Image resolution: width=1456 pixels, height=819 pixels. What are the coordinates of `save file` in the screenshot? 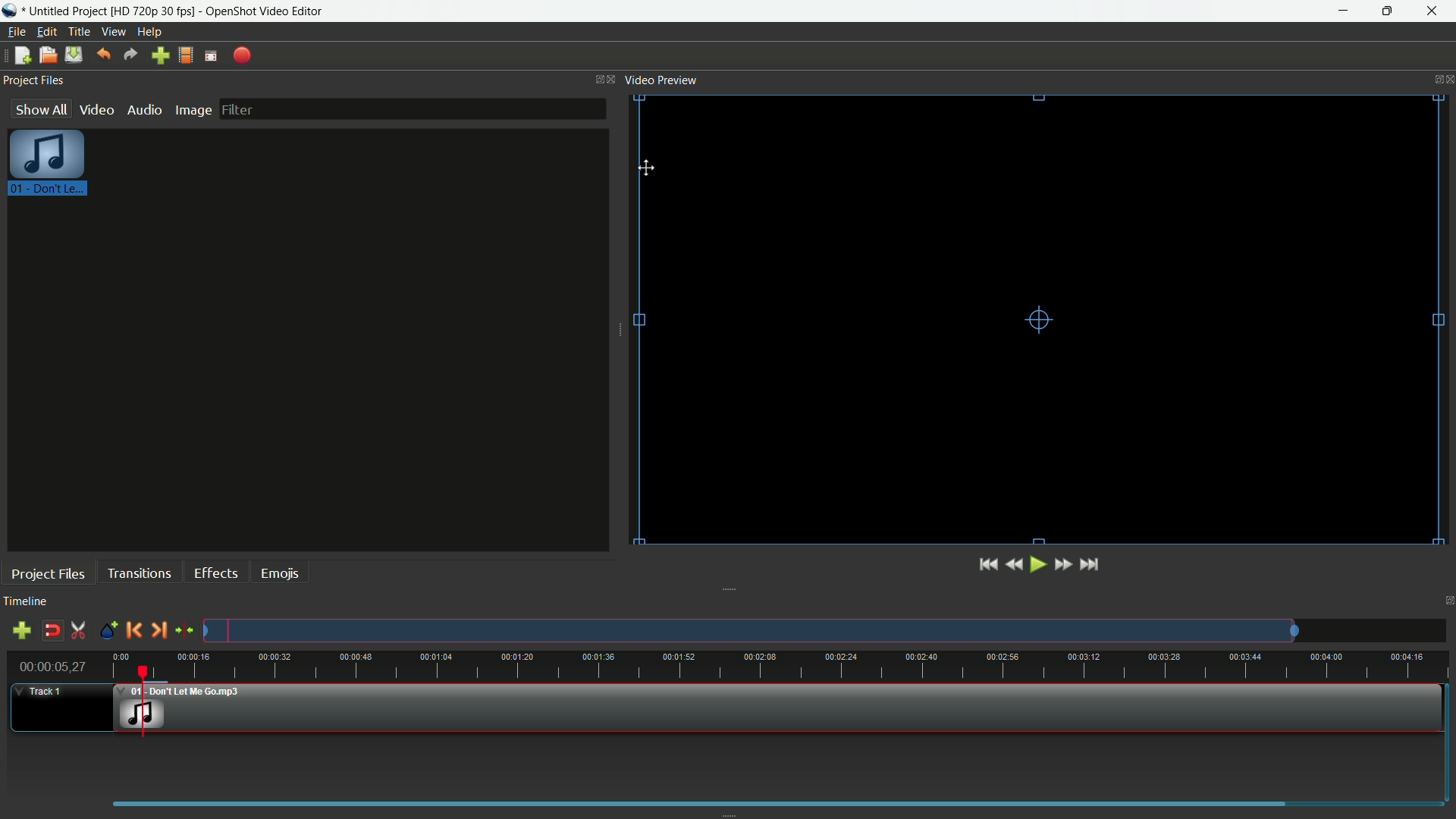 It's located at (74, 55).